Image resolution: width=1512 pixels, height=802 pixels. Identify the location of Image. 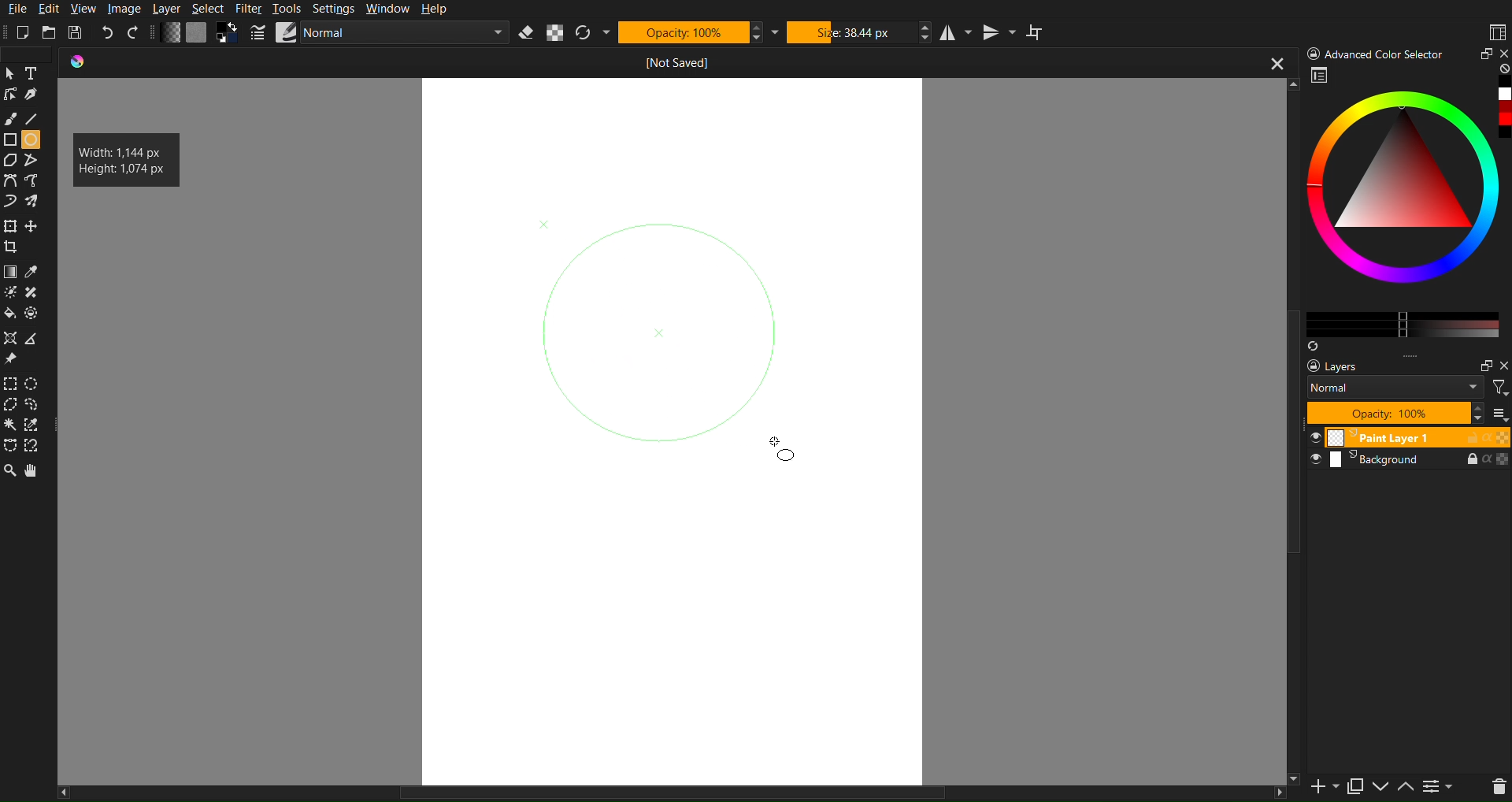
(125, 9).